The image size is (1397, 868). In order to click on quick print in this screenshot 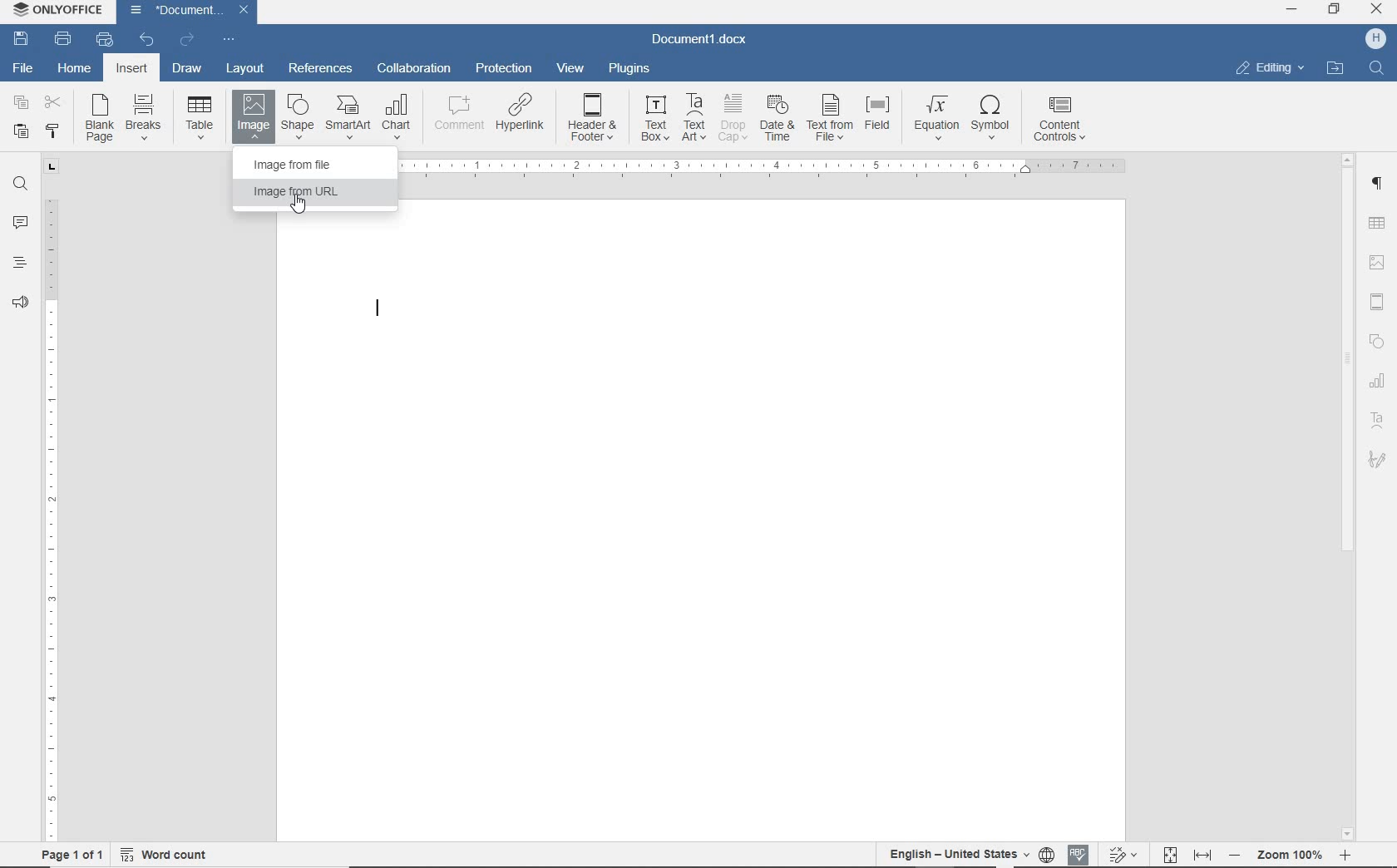, I will do `click(104, 40)`.